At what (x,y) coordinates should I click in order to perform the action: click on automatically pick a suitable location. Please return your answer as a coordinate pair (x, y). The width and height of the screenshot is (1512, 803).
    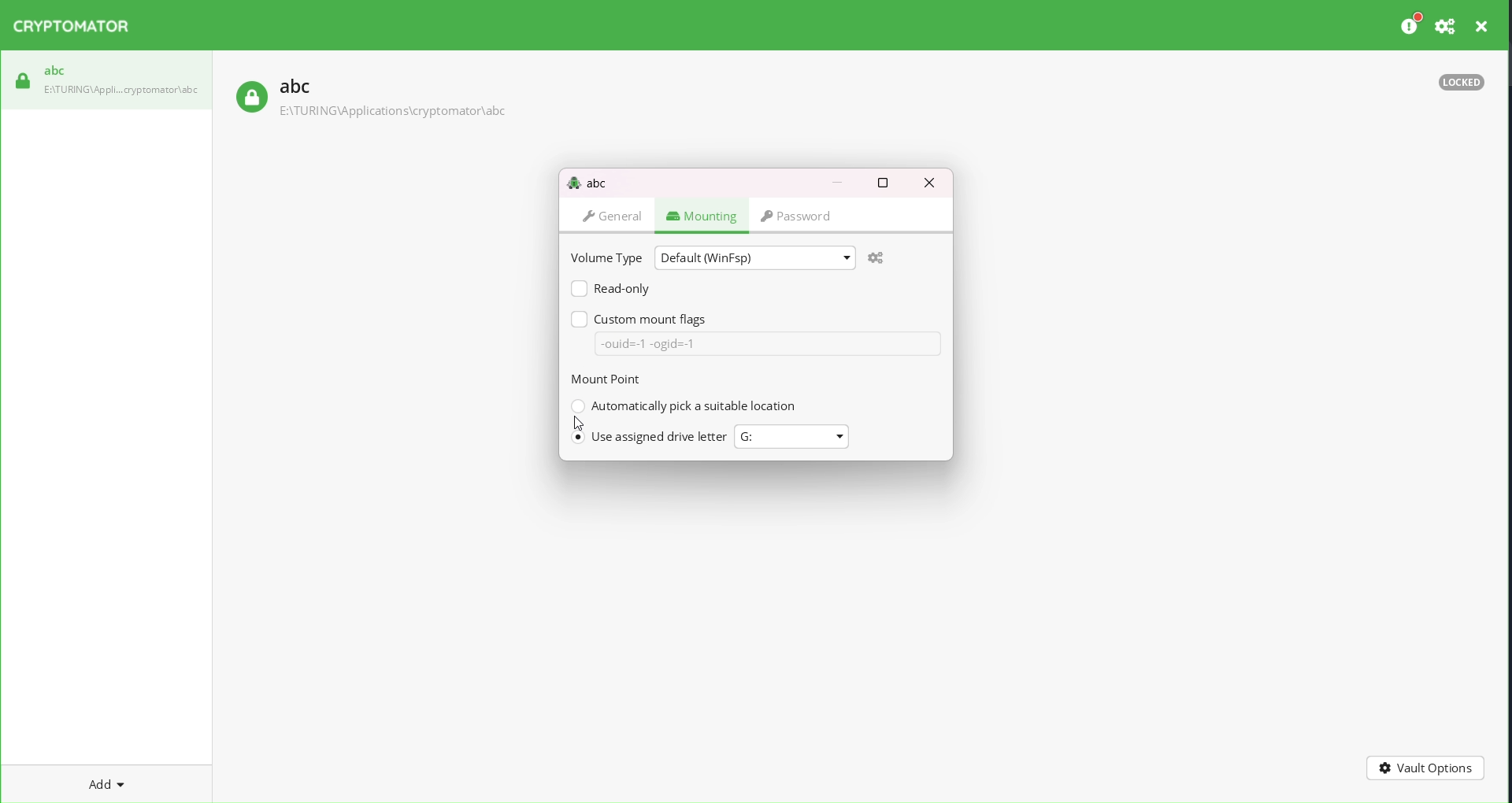
    Looking at the image, I should click on (685, 407).